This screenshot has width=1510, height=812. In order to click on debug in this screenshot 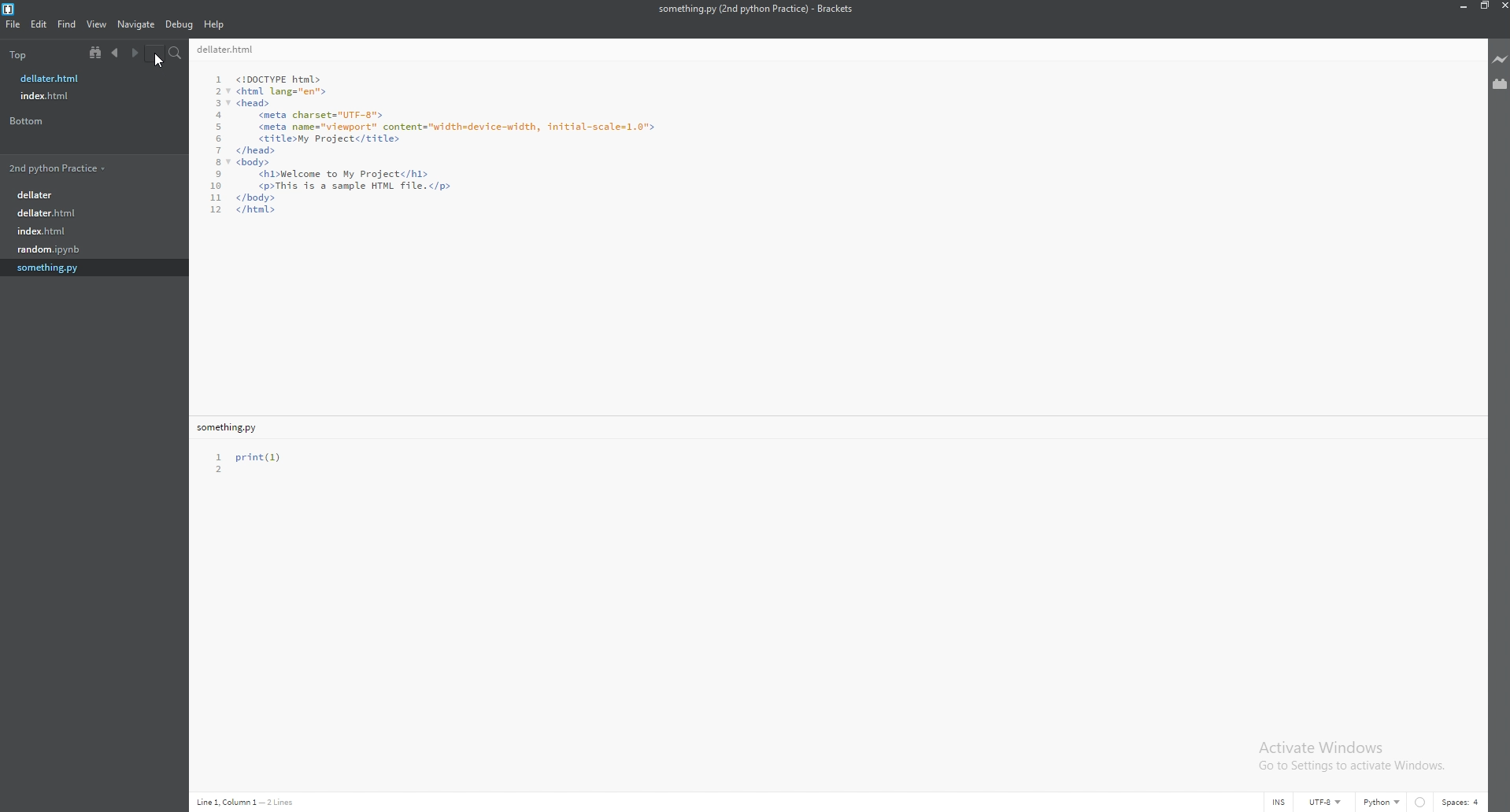, I will do `click(179, 25)`.